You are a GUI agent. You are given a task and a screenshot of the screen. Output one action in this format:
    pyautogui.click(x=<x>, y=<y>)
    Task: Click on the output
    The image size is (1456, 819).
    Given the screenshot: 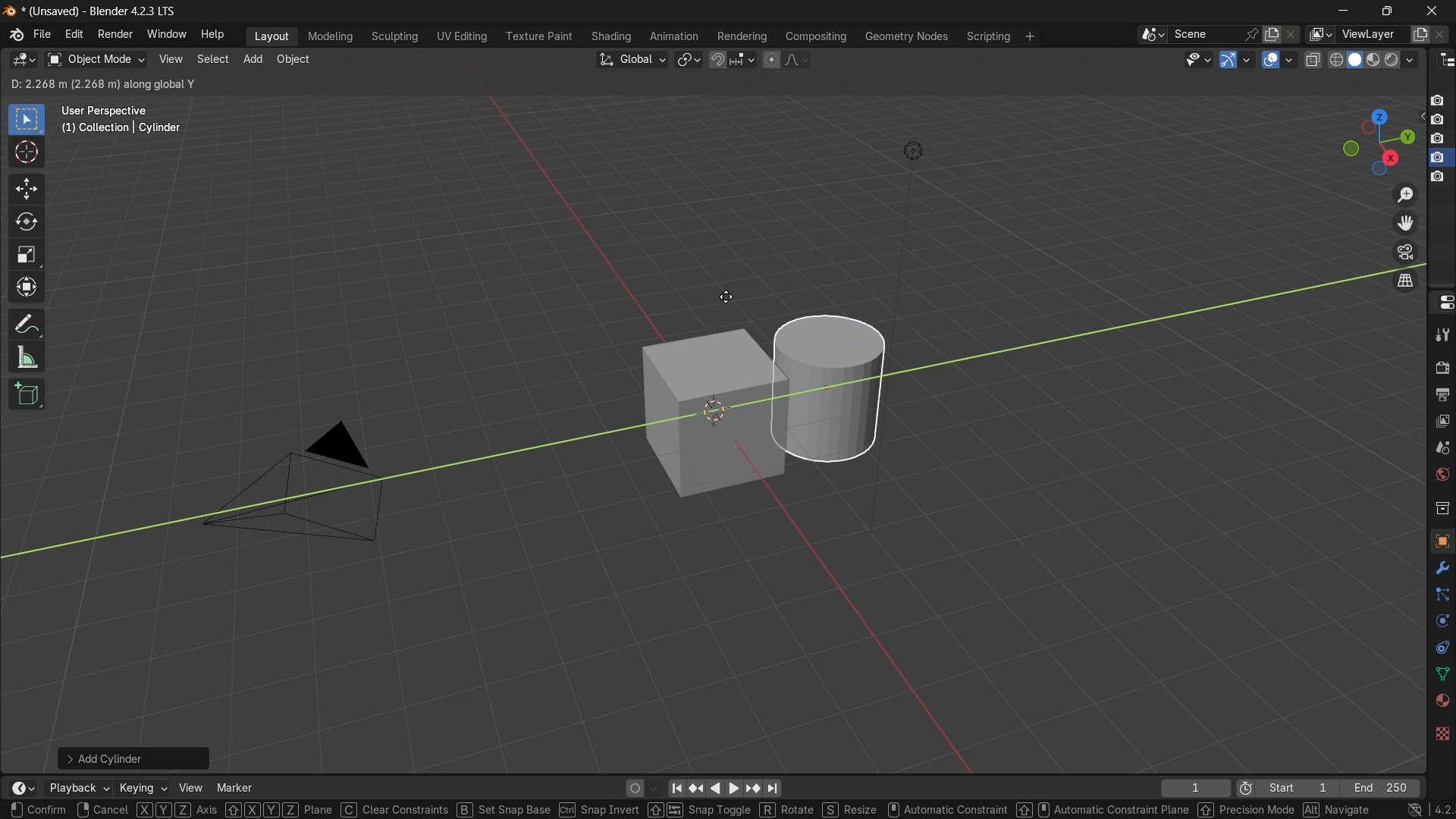 What is the action you would take?
    pyautogui.click(x=1442, y=396)
    